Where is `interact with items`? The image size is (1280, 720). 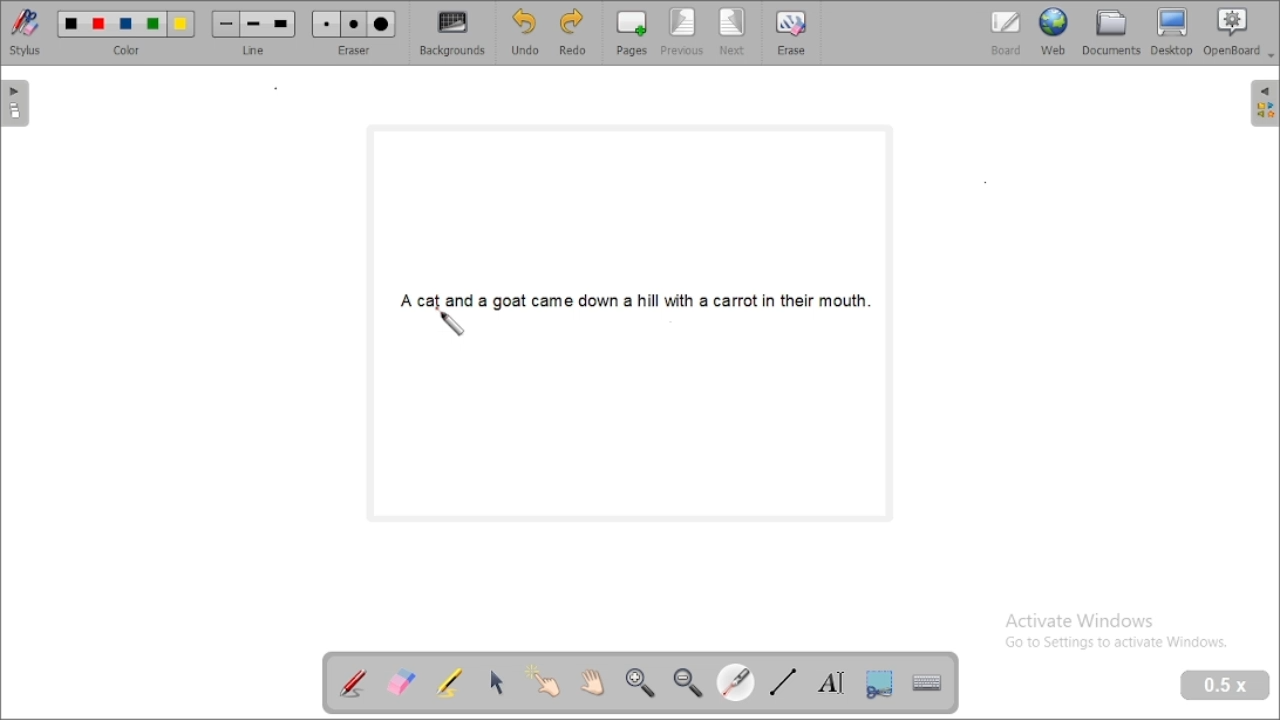
interact with items is located at coordinates (542, 680).